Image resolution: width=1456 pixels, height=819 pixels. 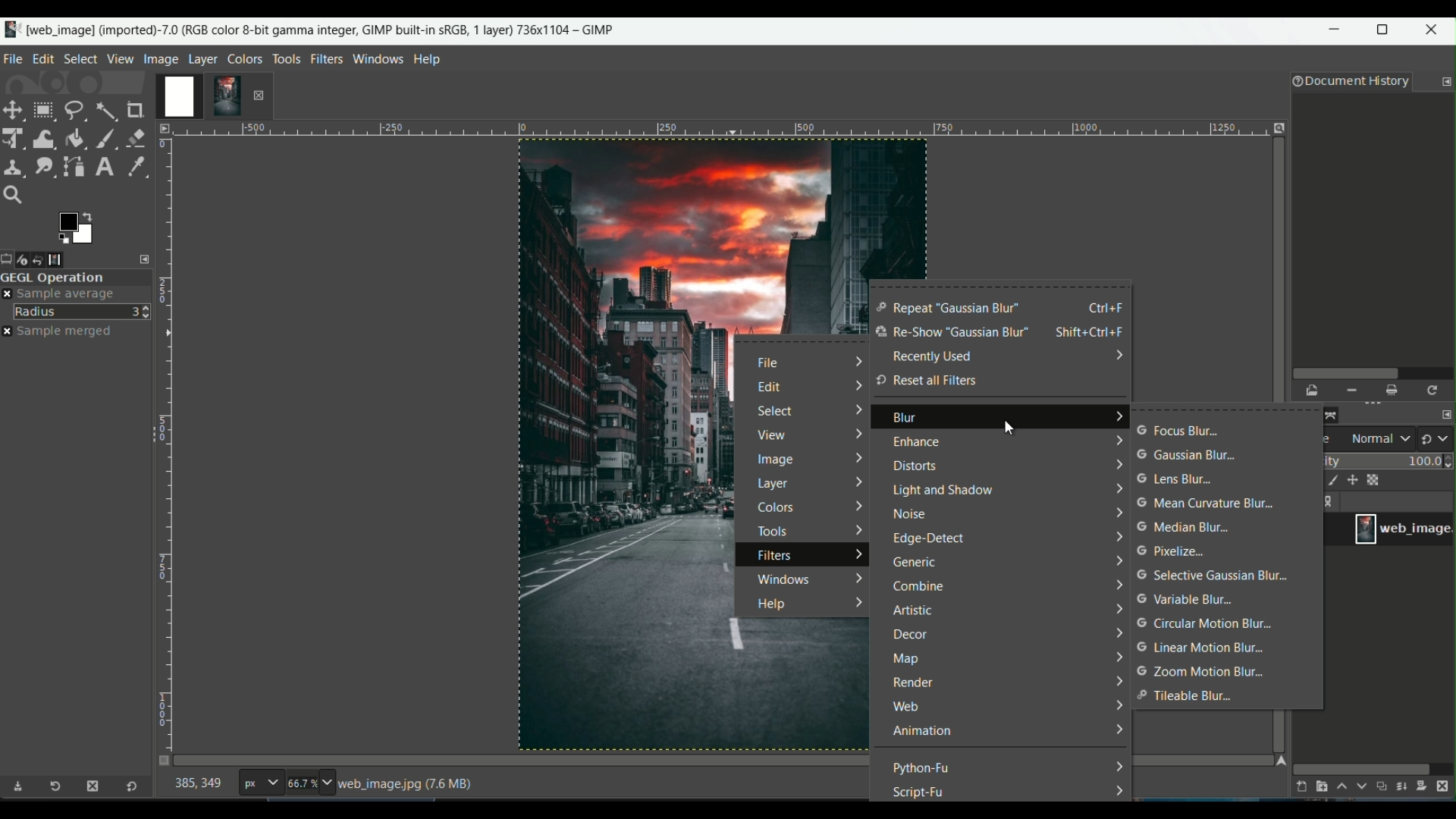 What do you see at coordinates (1313, 391) in the screenshot?
I see `open the selected entry` at bounding box center [1313, 391].